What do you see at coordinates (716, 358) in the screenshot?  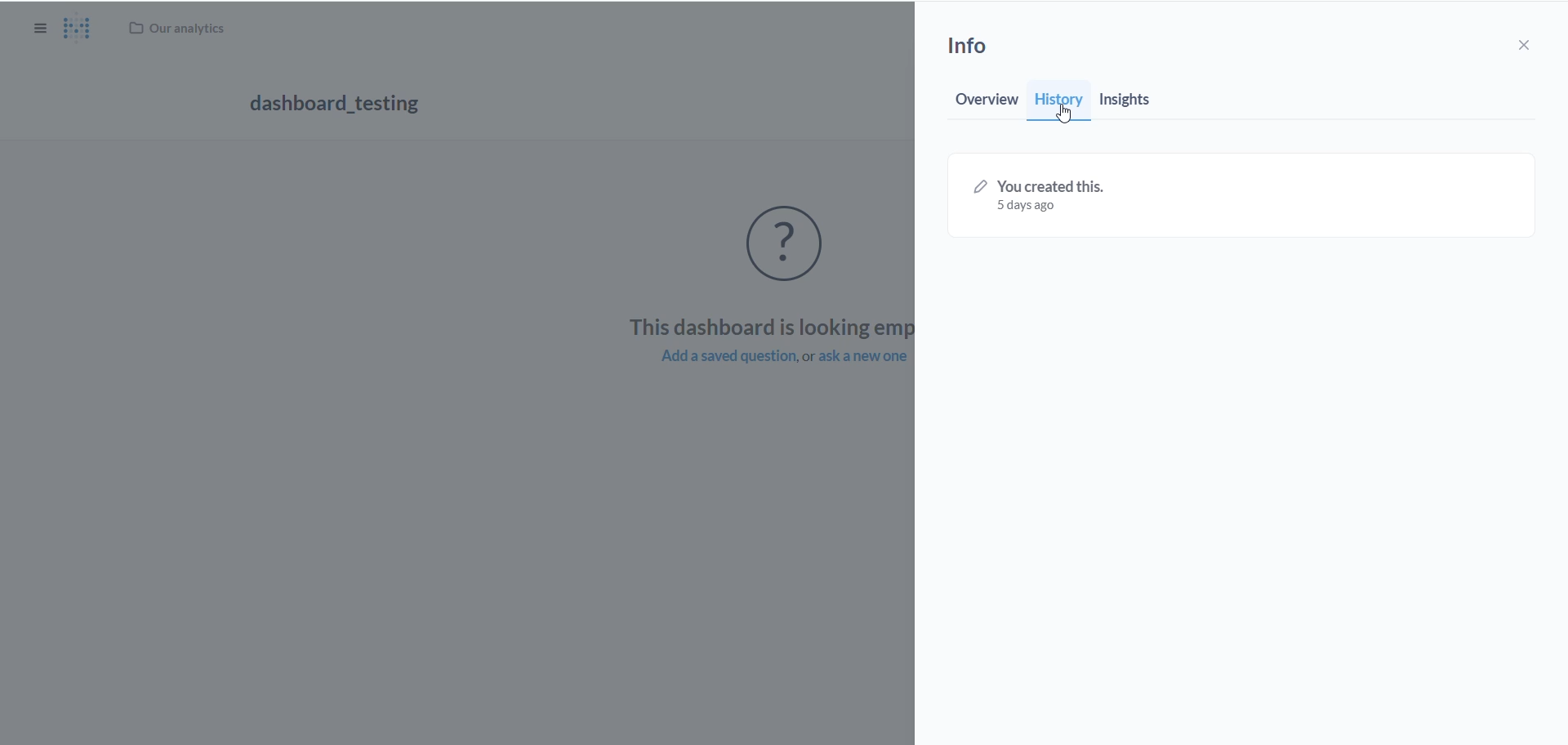 I see `add a saved question` at bounding box center [716, 358].